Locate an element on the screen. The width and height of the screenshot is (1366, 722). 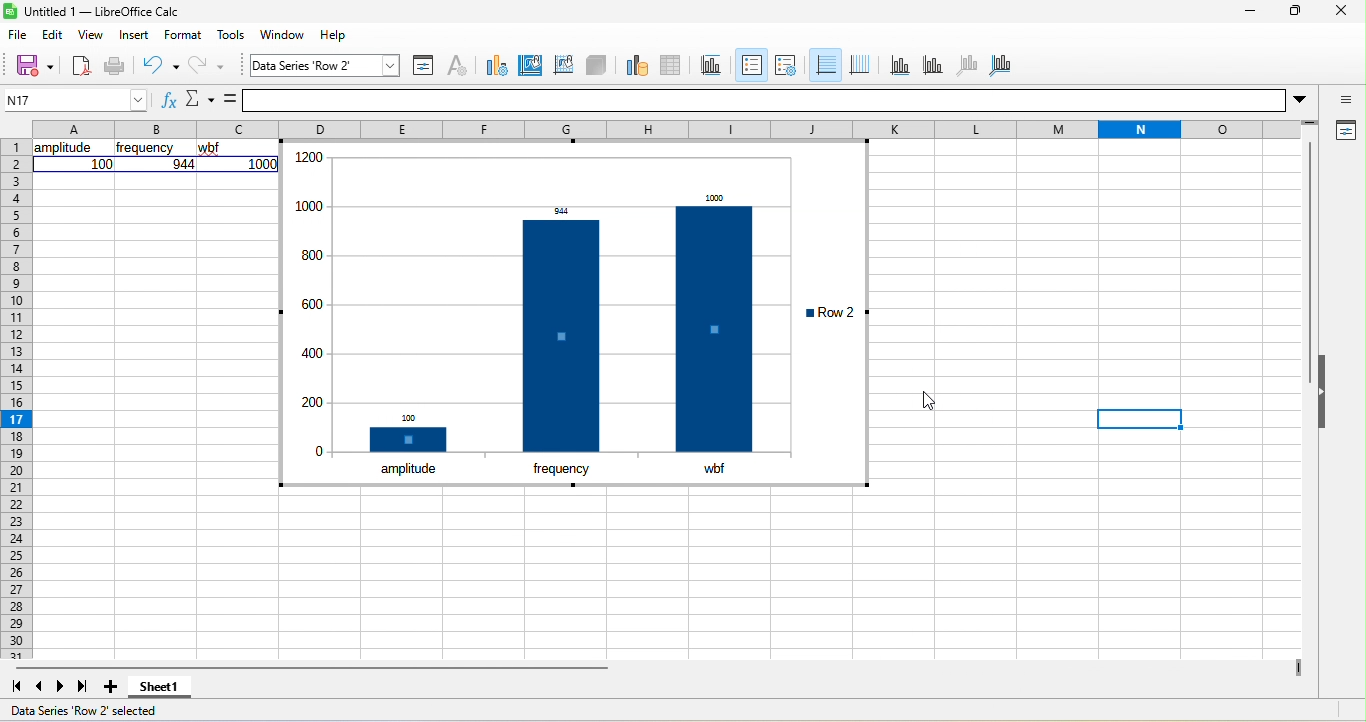
properties is located at coordinates (1342, 130).